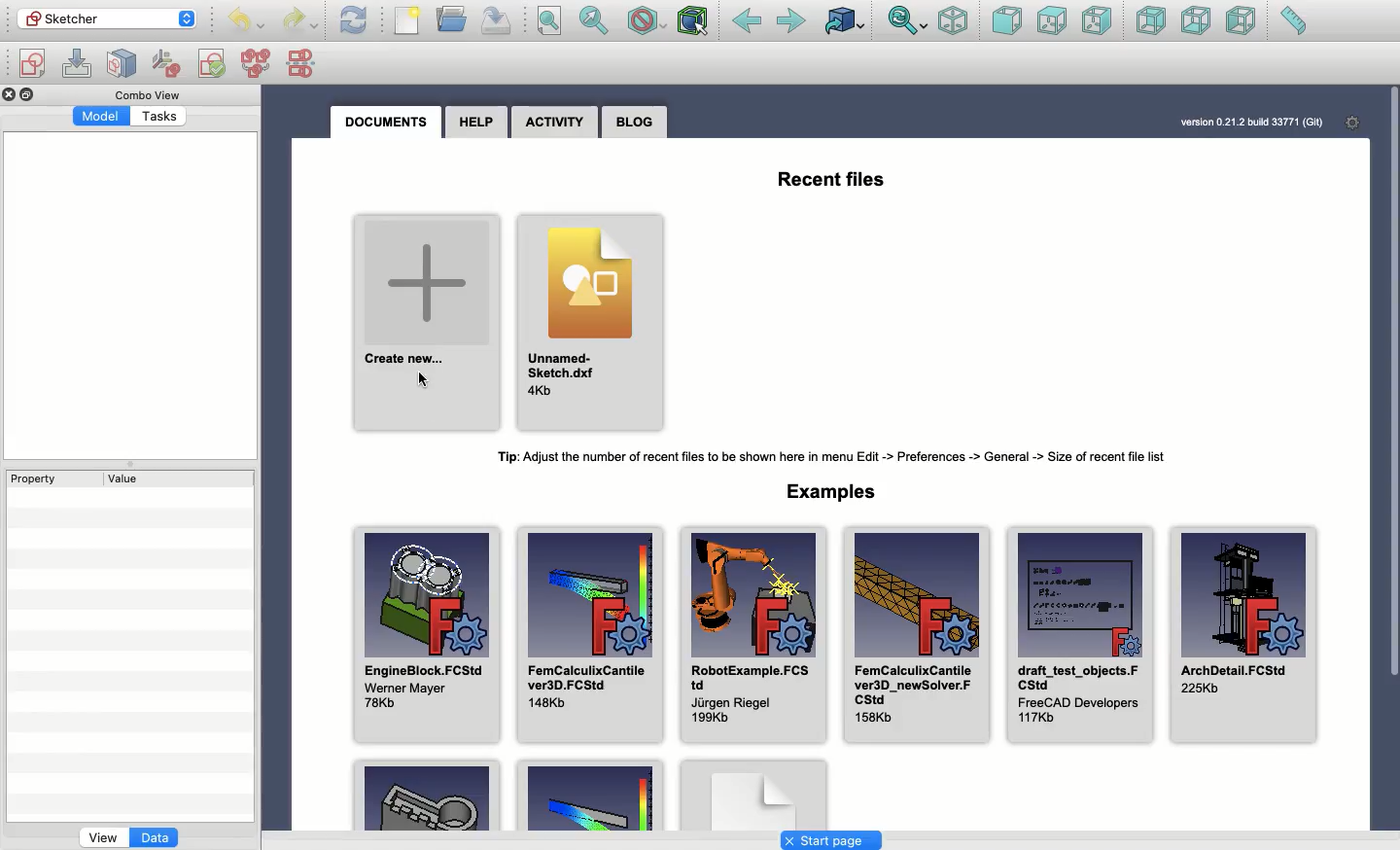  I want to click on Isometric, so click(952, 21).